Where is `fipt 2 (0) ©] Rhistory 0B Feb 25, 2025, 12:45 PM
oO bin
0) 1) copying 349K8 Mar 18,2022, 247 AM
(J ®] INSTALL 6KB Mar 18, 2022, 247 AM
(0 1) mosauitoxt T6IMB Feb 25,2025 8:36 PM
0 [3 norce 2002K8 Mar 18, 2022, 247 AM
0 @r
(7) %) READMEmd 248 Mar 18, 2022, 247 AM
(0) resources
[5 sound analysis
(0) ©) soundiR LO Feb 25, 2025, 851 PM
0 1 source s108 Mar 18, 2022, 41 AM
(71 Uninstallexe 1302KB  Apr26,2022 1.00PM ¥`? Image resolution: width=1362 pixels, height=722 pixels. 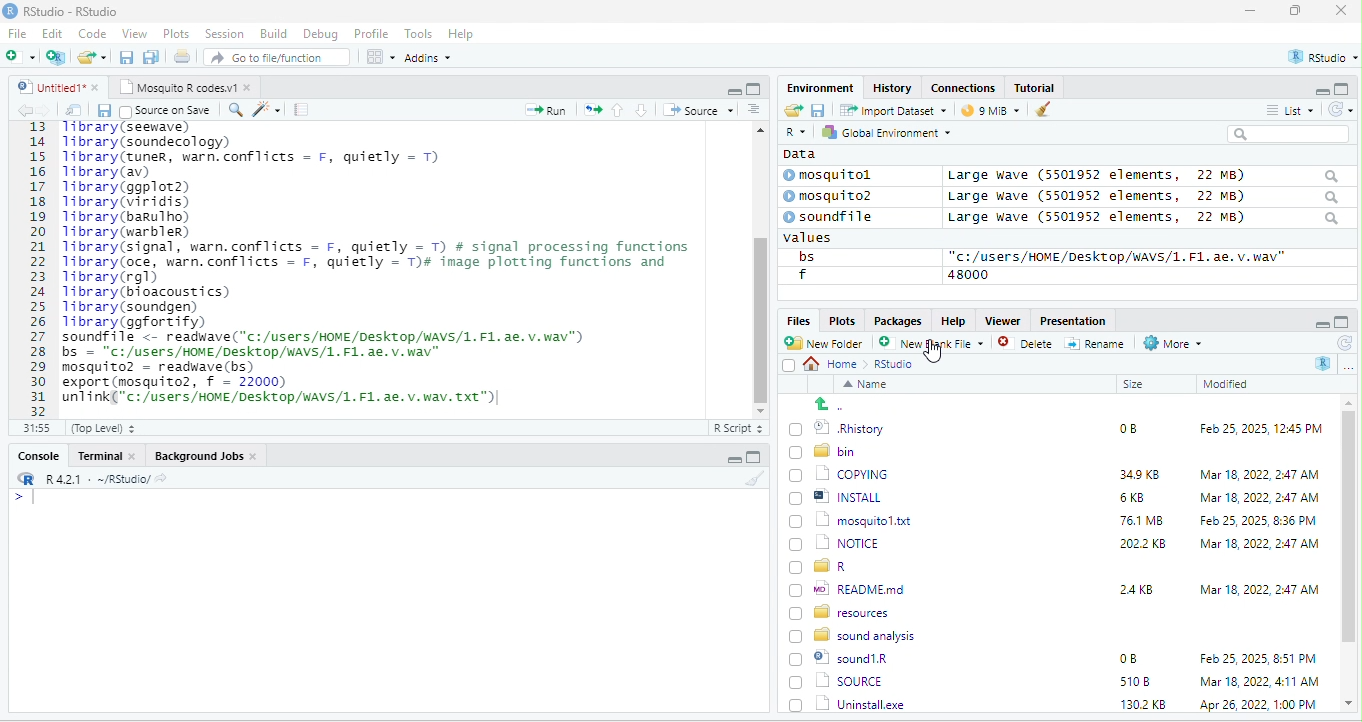
fipt 2 (0) ©] Rhistory 0B Feb 25, 2025, 12:45 PM
oO bin
0) 1) copying 349K8 Mar 18,2022, 247 AM
(J ®] INSTALL 6KB Mar 18, 2022, 247 AM
(0 1) mosauitoxt T6IMB Feb 25,2025 8:36 PM
0 [3 norce 2002K8 Mar 18, 2022, 247 AM
0 @r
(7) %) READMEmd 248 Mar 18, 2022, 247 AM
(0) resources
[5 sound analysis
(0) ©) soundiR LO Feb 25, 2025, 851 PM
0 1 source s108 Mar 18, 2022, 41 AM
(71 Uninstallexe 1302KB  Apr26,2022 1.00PM ¥ is located at coordinates (394, 262).